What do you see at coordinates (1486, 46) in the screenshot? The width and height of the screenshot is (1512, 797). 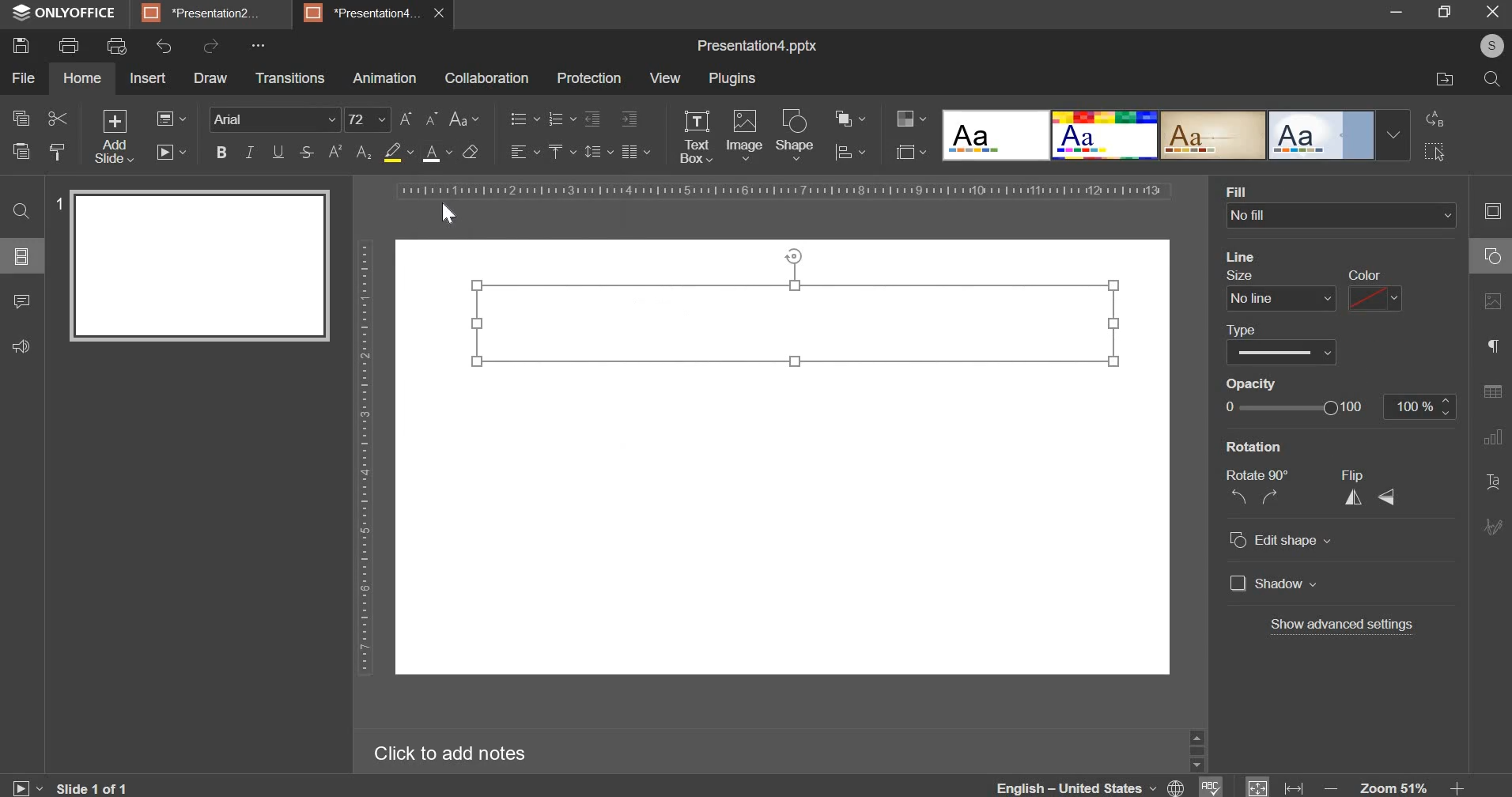 I see `Profile photo` at bounding box center [1486, 46].